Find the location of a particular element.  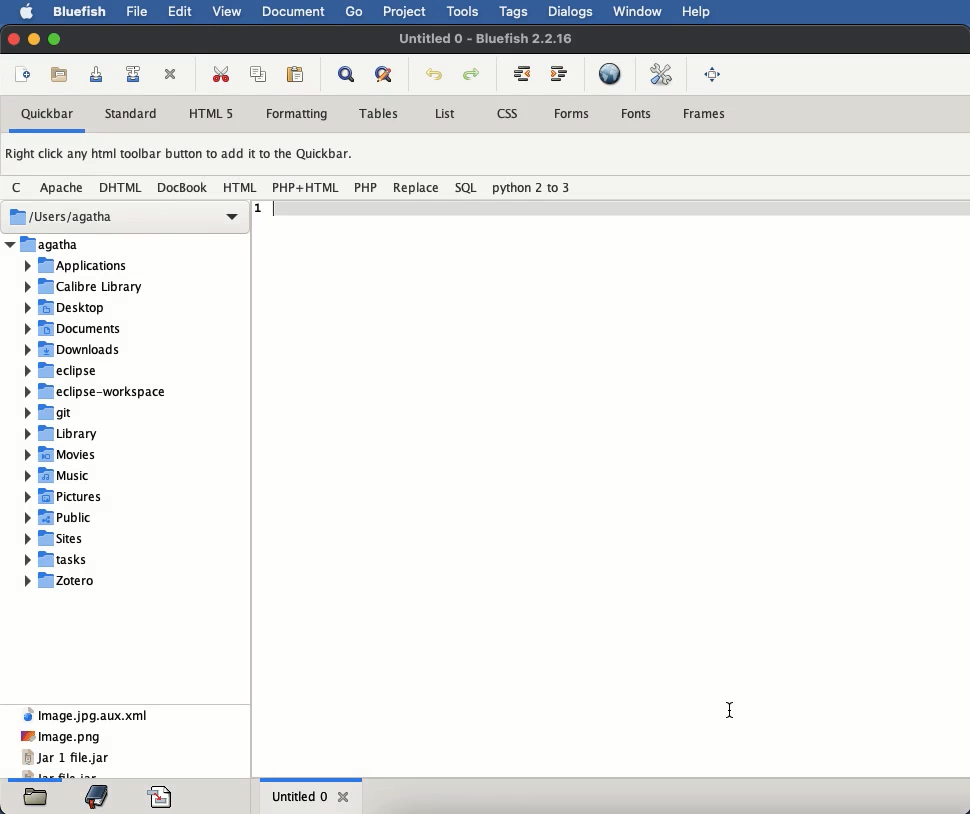

bluefish is located at coordinates (81, 14).